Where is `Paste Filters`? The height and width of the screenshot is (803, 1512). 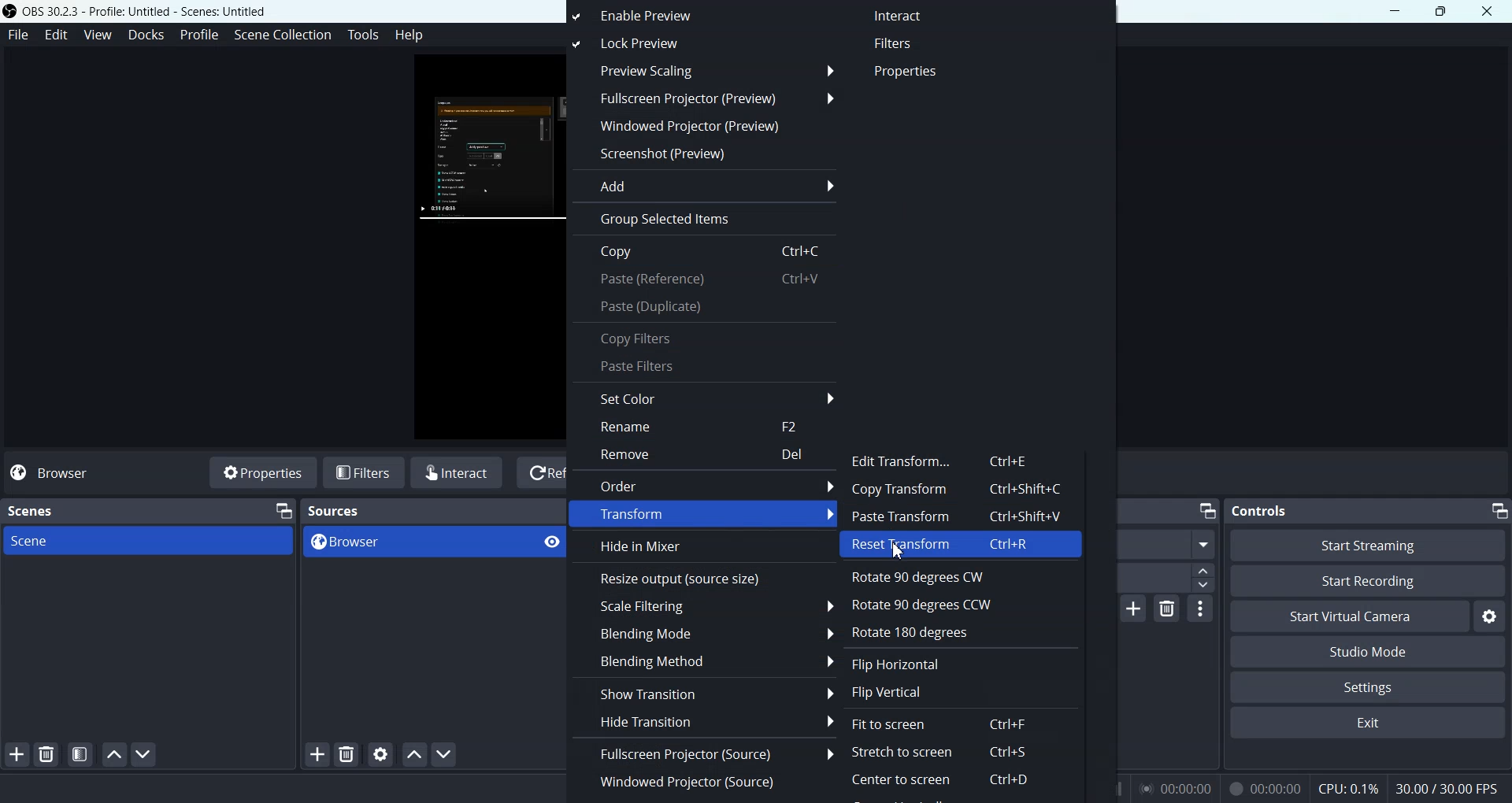 Paste Filters is located at coordinates (706, 368).